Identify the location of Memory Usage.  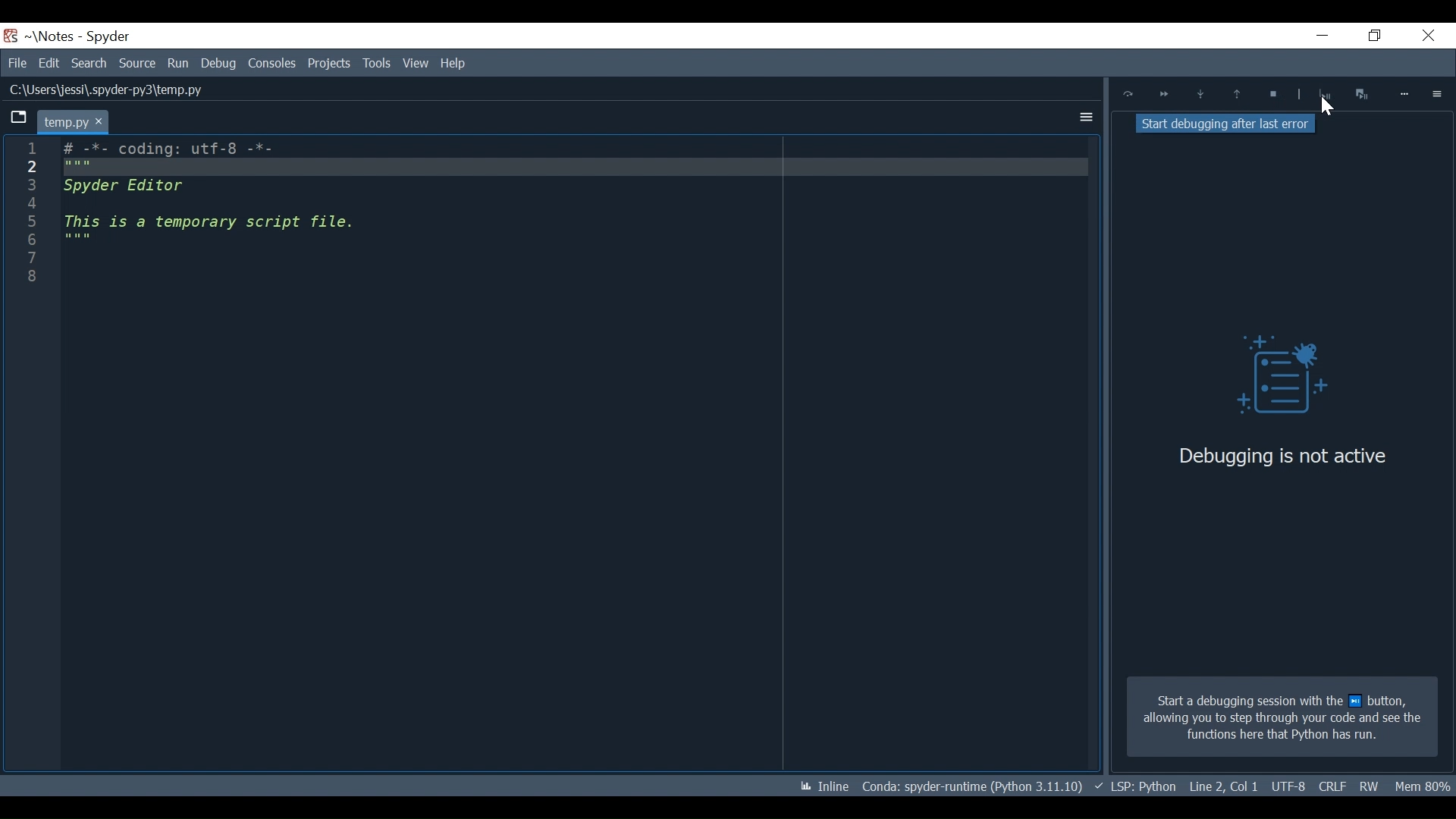
(1424, 784).